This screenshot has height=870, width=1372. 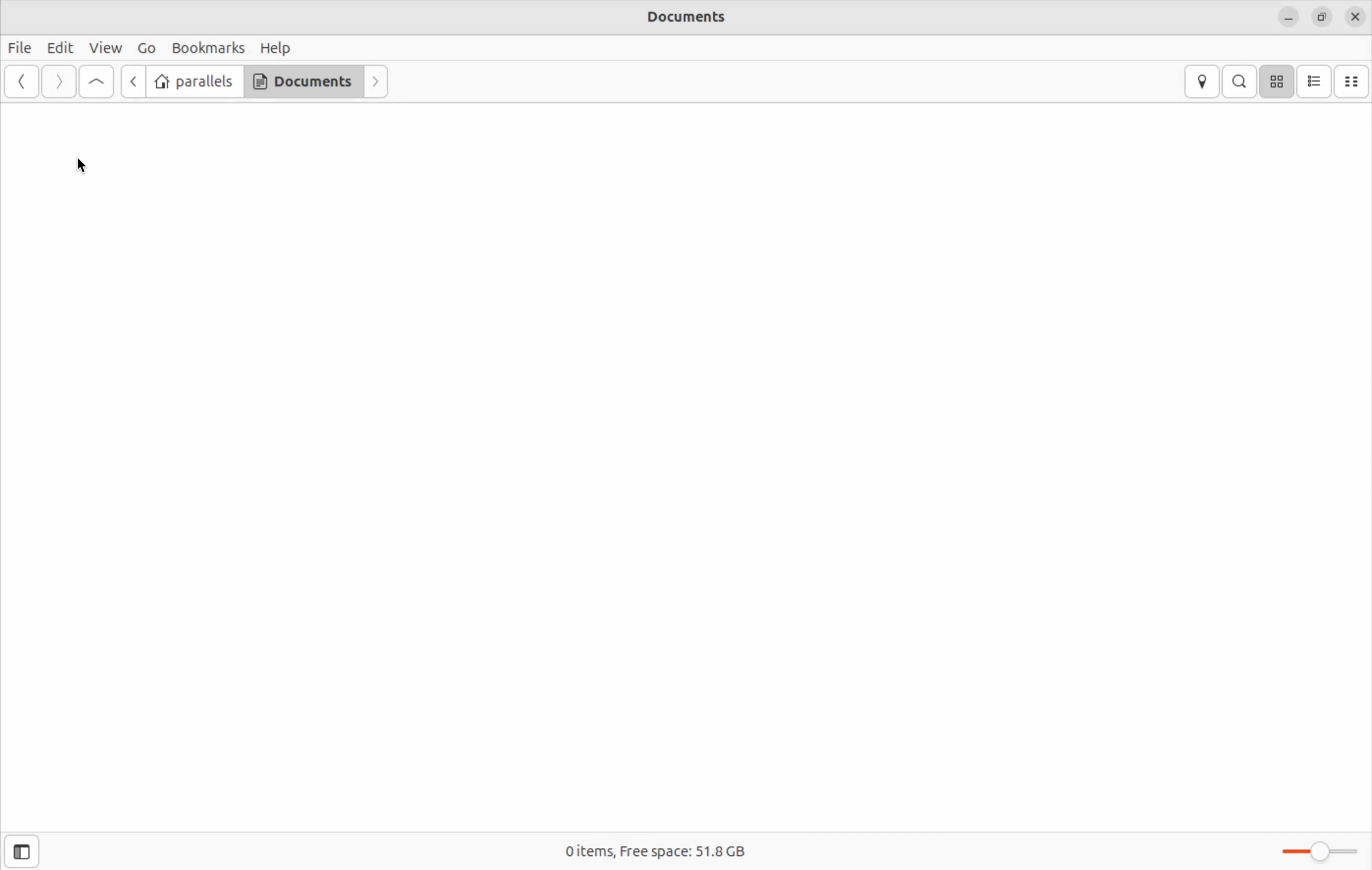 What do you see at coordinates (1201, 81) in the screenshot?
I see `locations` at bounding box center [1201, 81].